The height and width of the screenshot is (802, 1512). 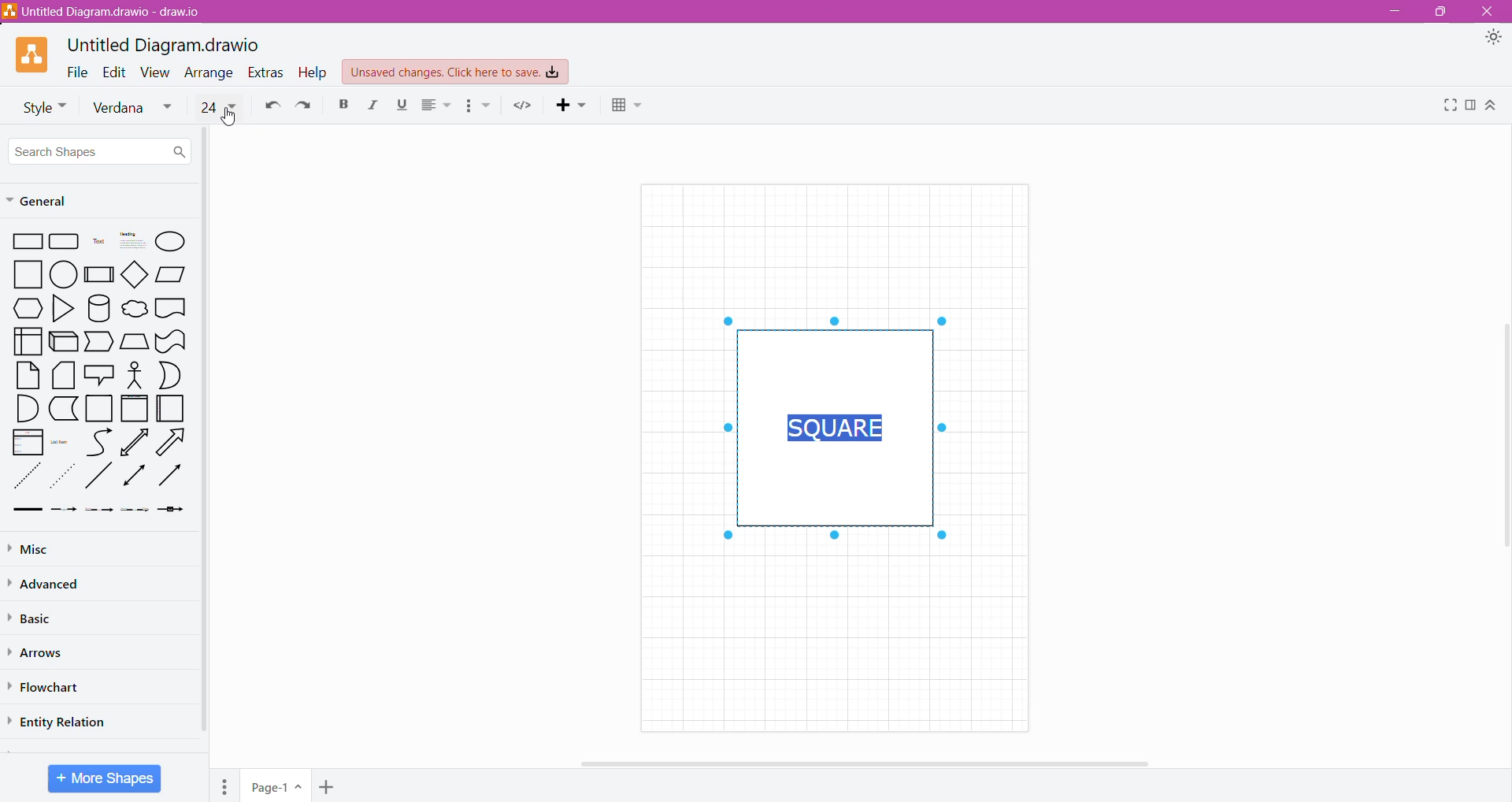 I want to click on Rectangle, so click(x=26, y=240).